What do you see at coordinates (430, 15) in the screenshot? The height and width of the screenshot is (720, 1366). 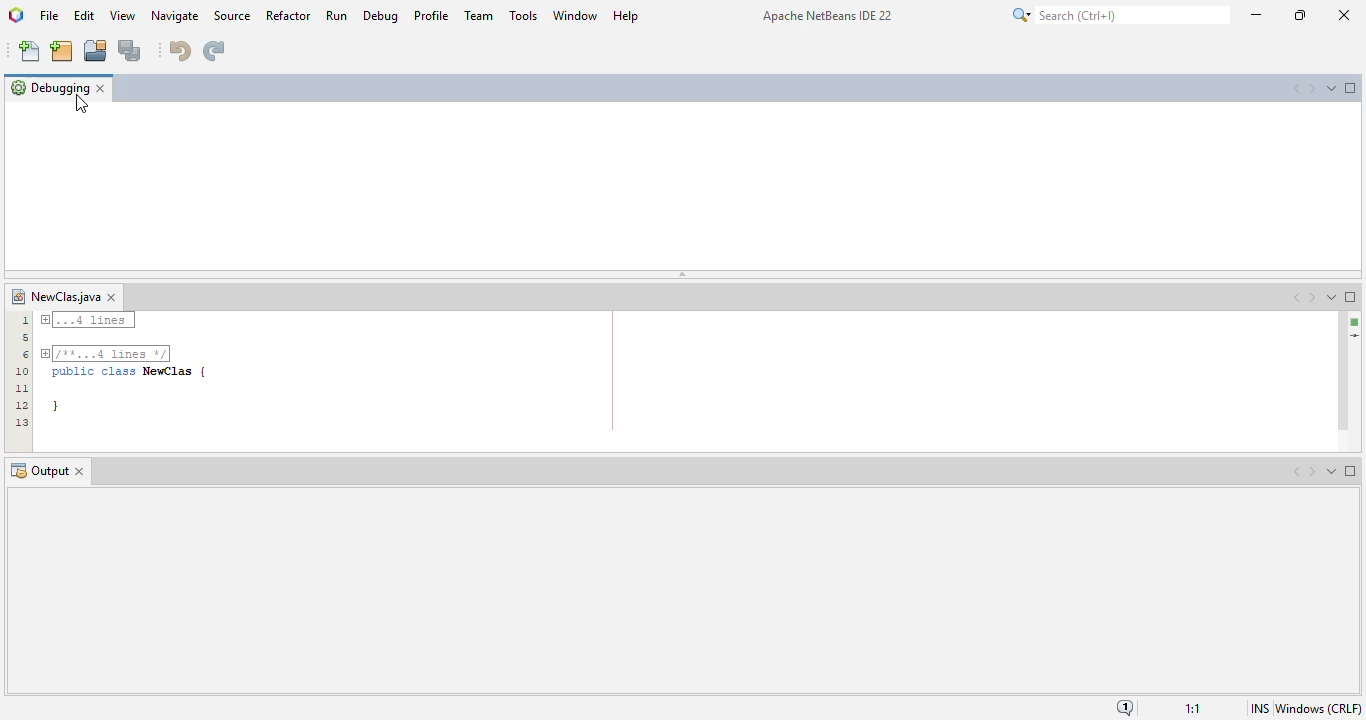 I see `profile` at bounding box center [430, 15].